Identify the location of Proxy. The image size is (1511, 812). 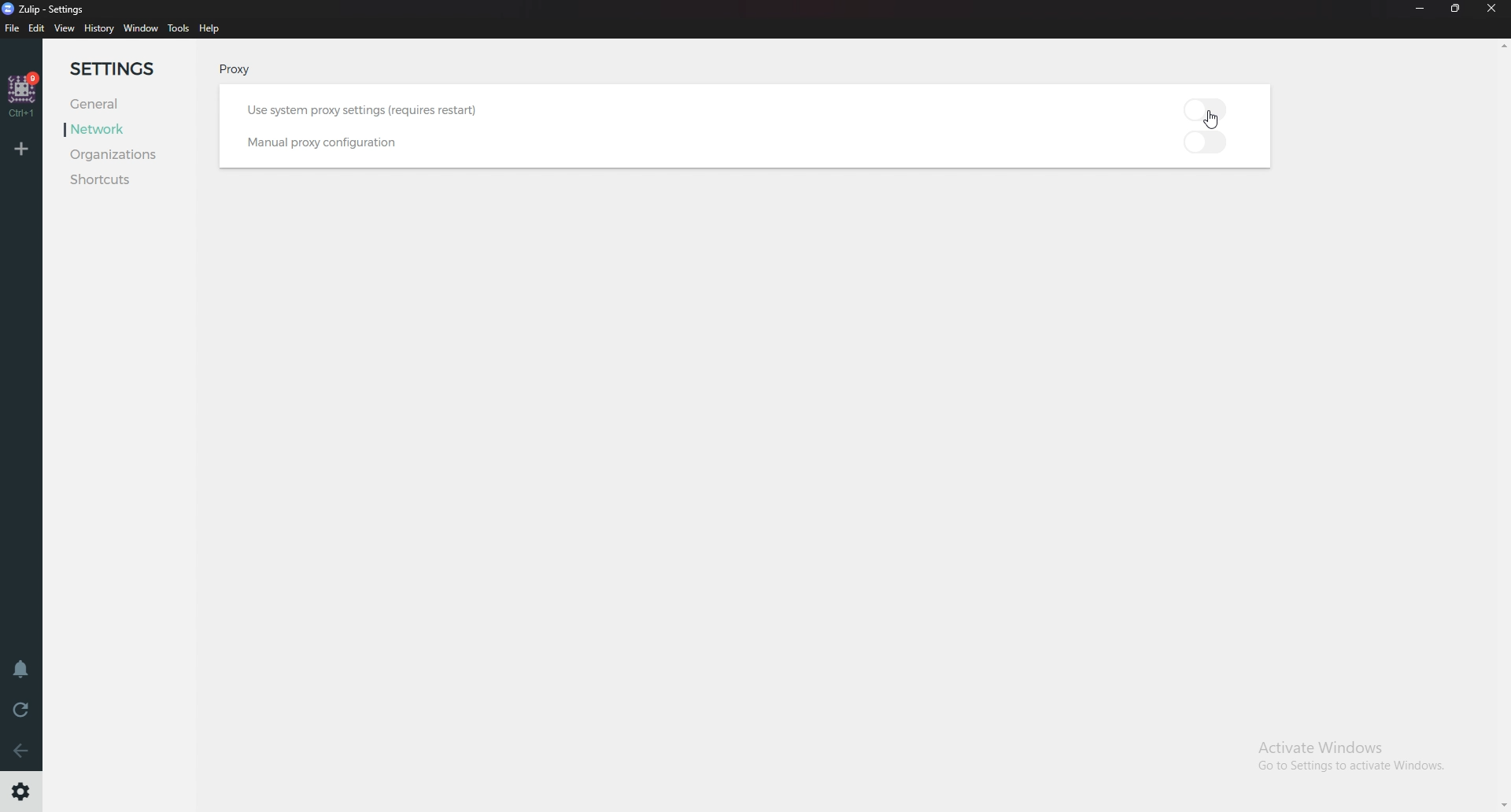
(249, 70).